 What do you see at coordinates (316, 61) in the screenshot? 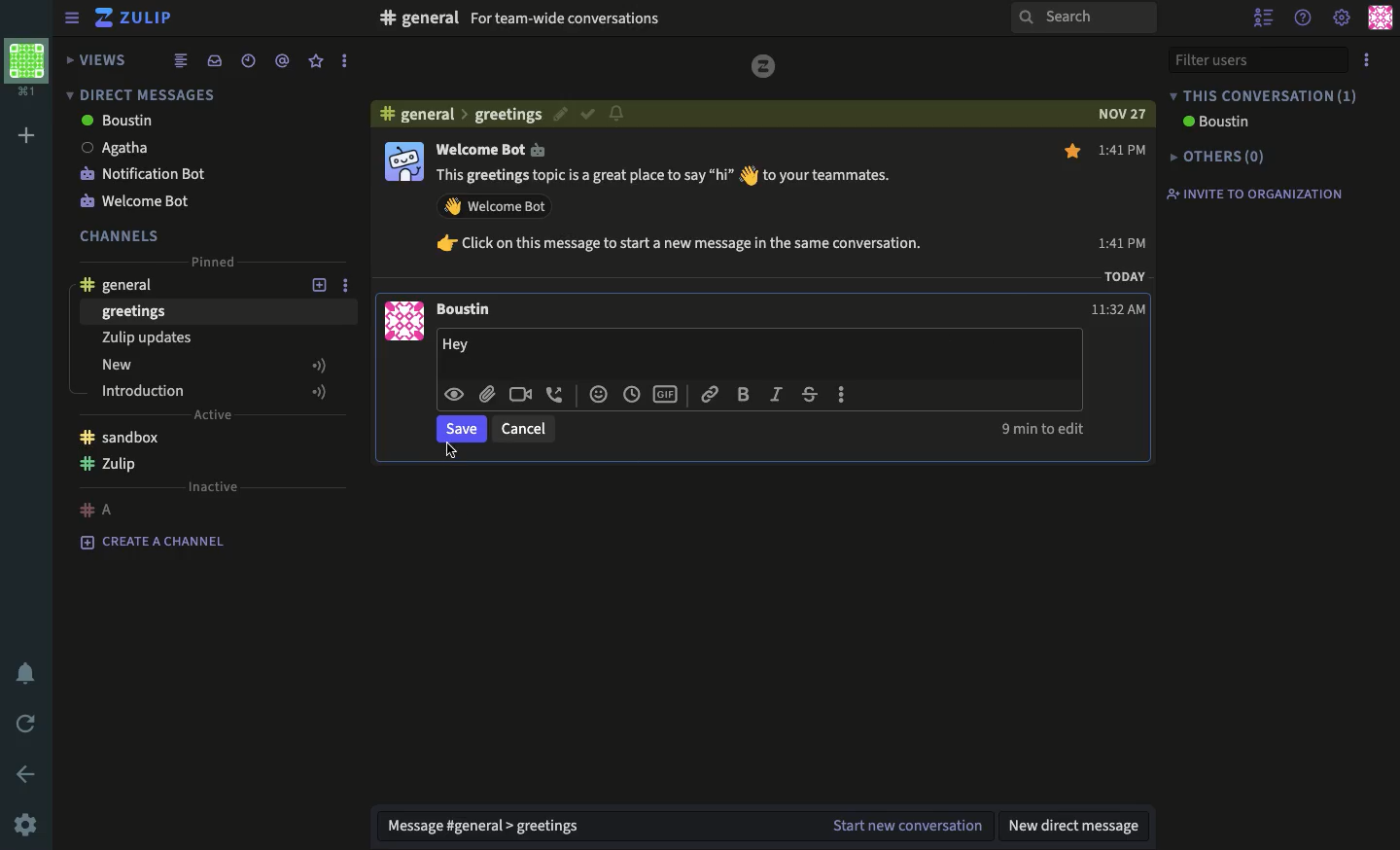
I see `favorite` at bounding box center [316, 61].